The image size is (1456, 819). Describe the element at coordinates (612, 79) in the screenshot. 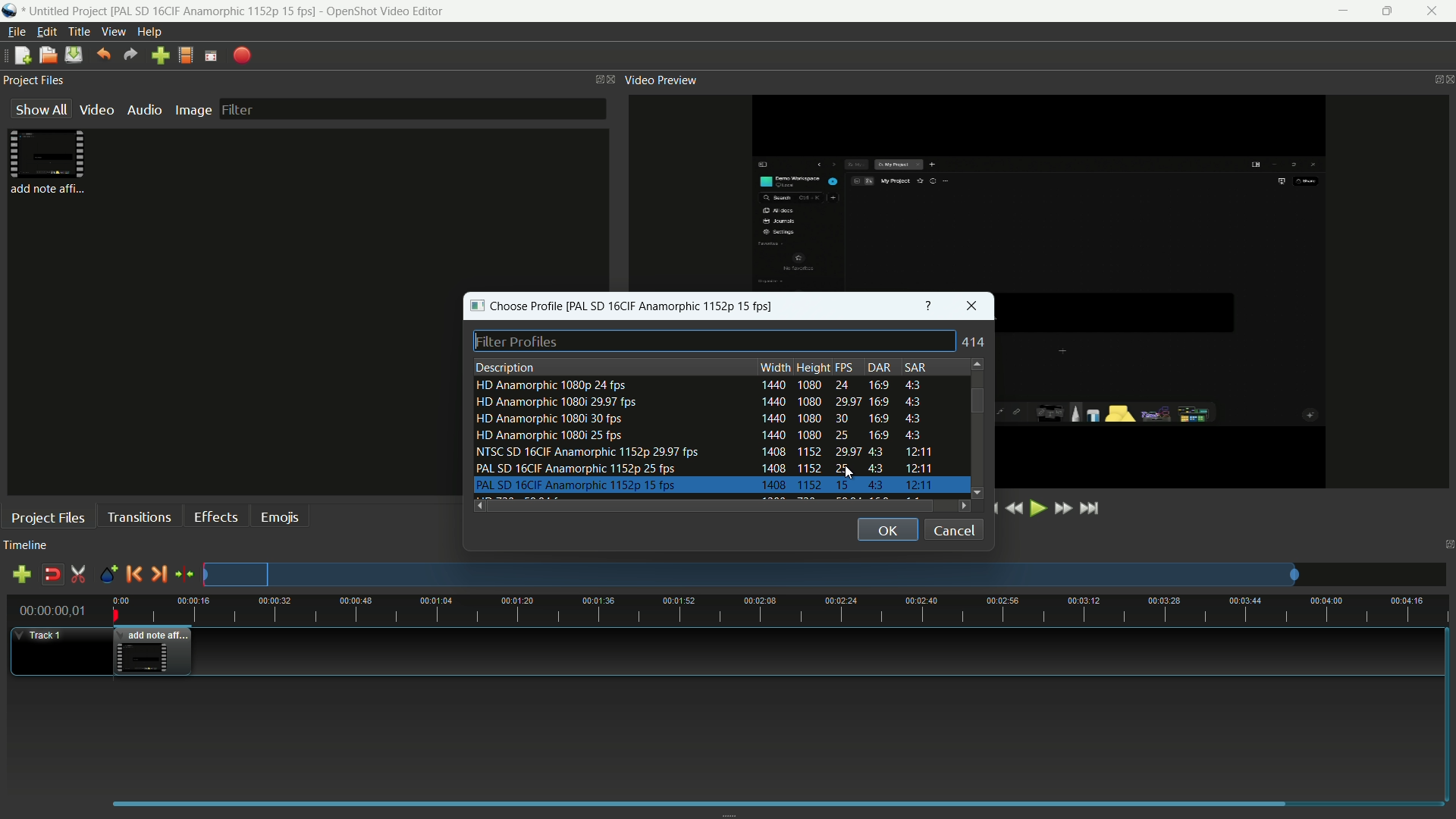

I see `close project files` at that location.